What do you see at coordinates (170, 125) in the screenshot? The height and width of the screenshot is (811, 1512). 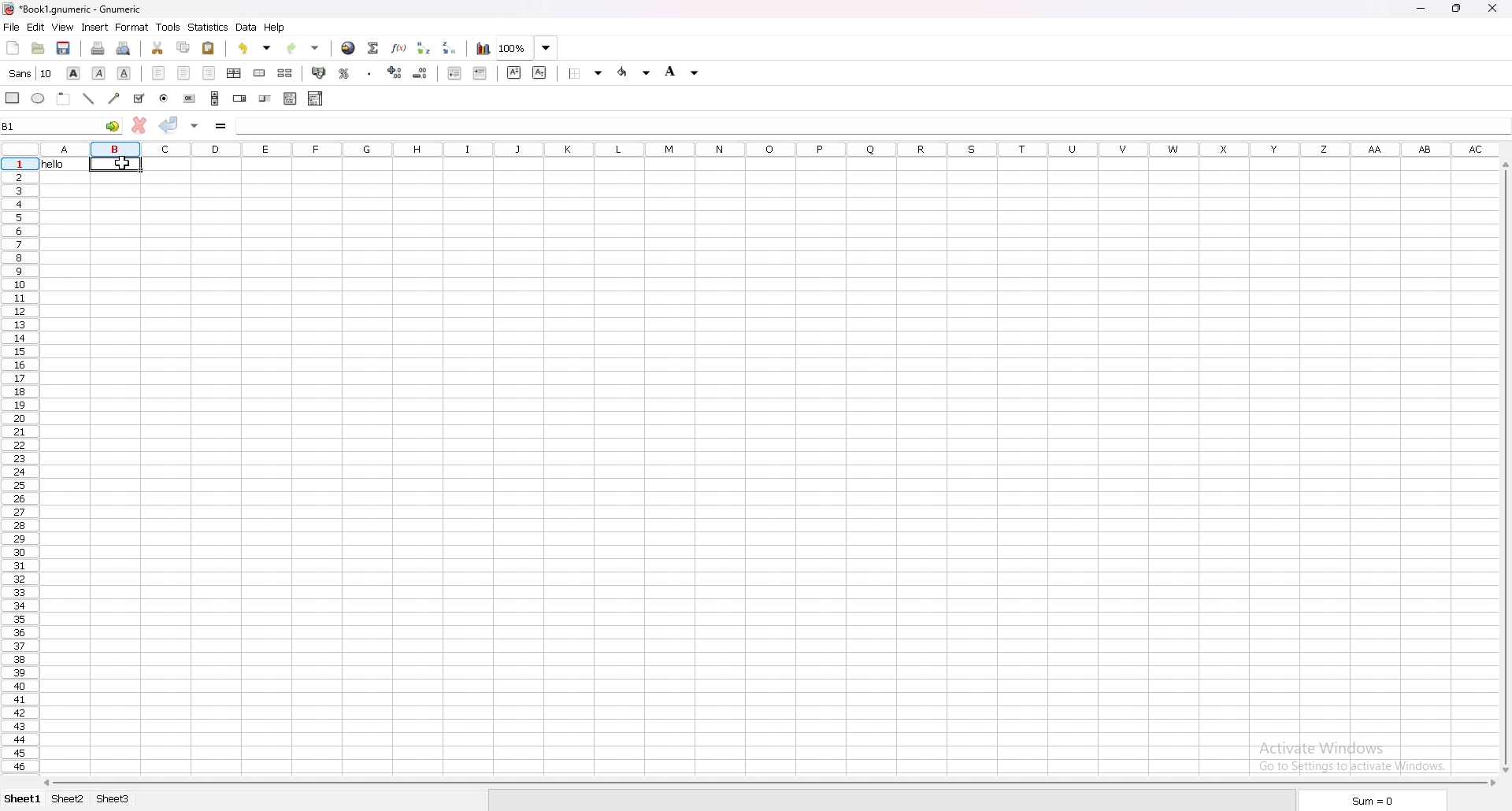 I see `accept change` at bounding box center [170, 125].